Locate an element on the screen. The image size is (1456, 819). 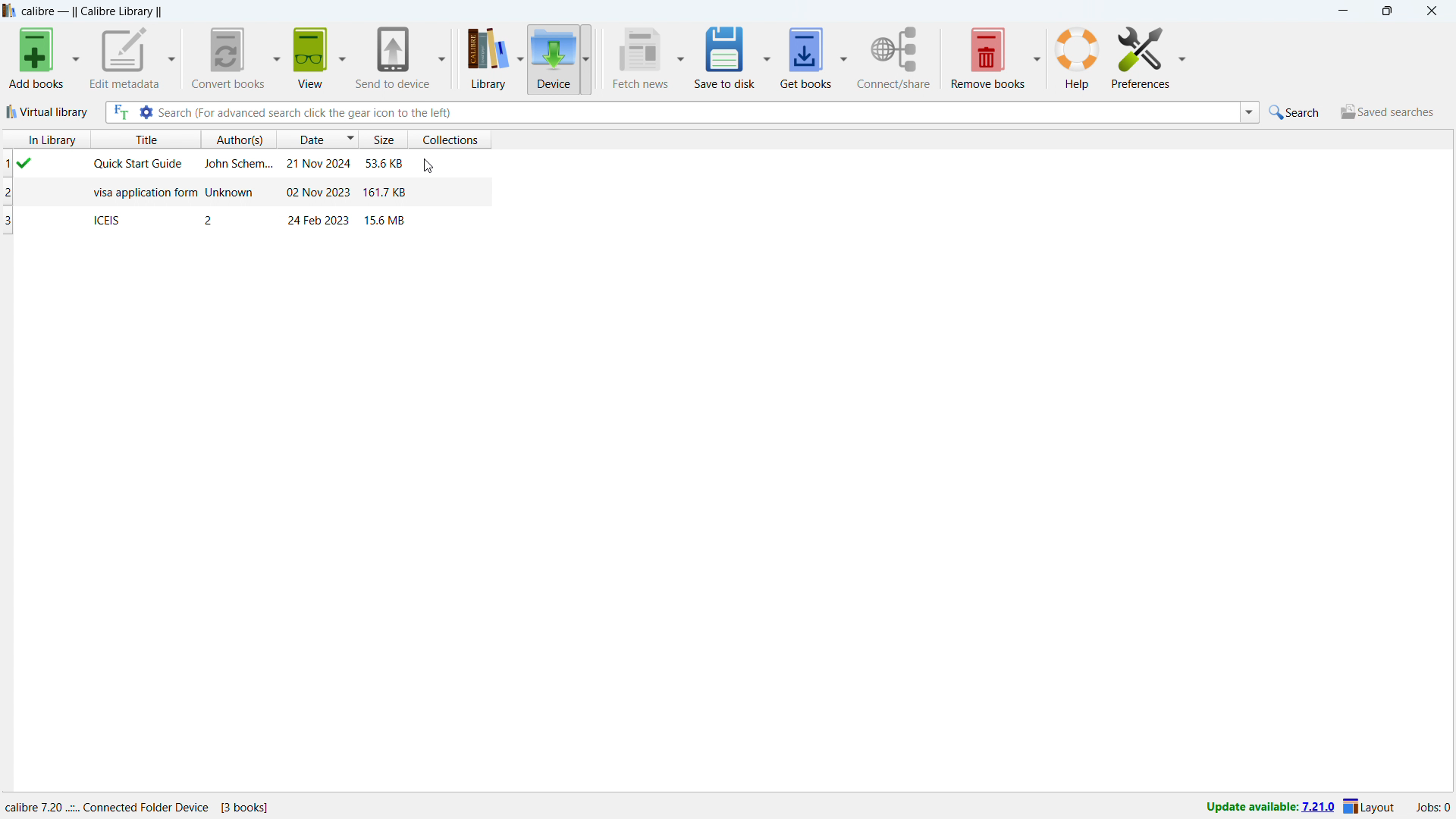
library is located at coordinates (482, 60).